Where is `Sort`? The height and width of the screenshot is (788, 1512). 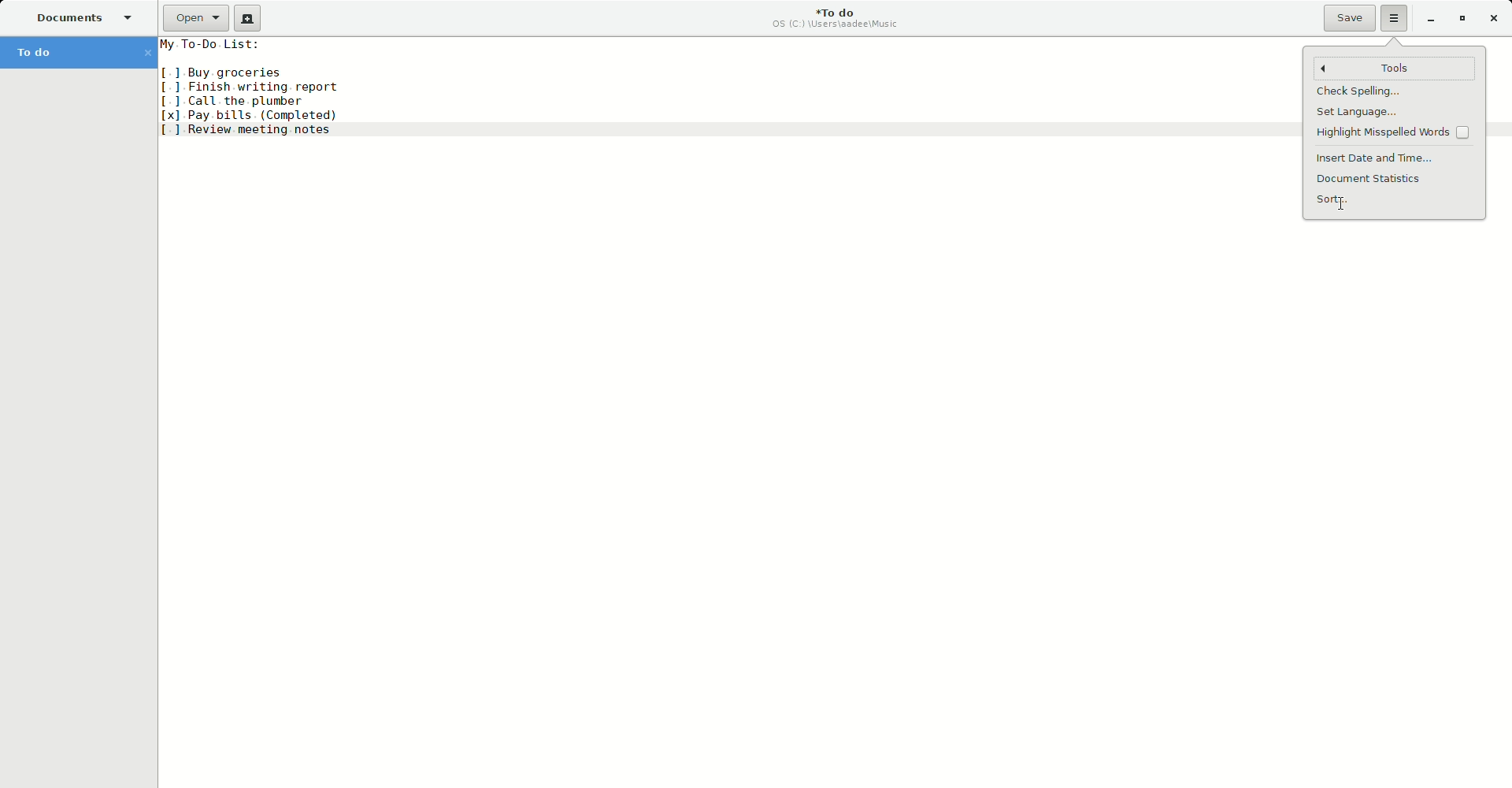 Sort is located at coordinates (1356, 202).